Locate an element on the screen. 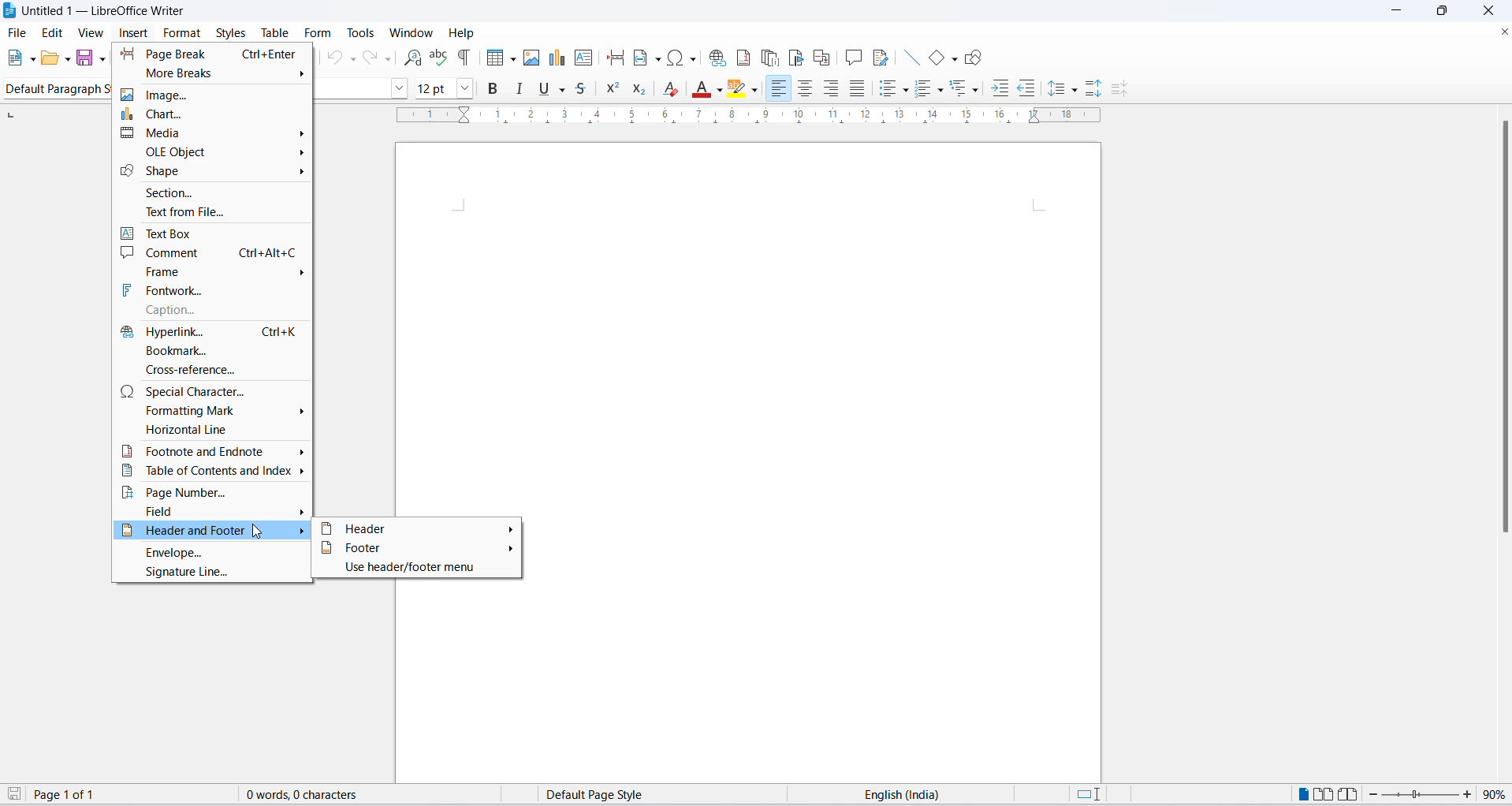 This screenshot has height=806, width=1512. header is located at coordinates (417, 529).